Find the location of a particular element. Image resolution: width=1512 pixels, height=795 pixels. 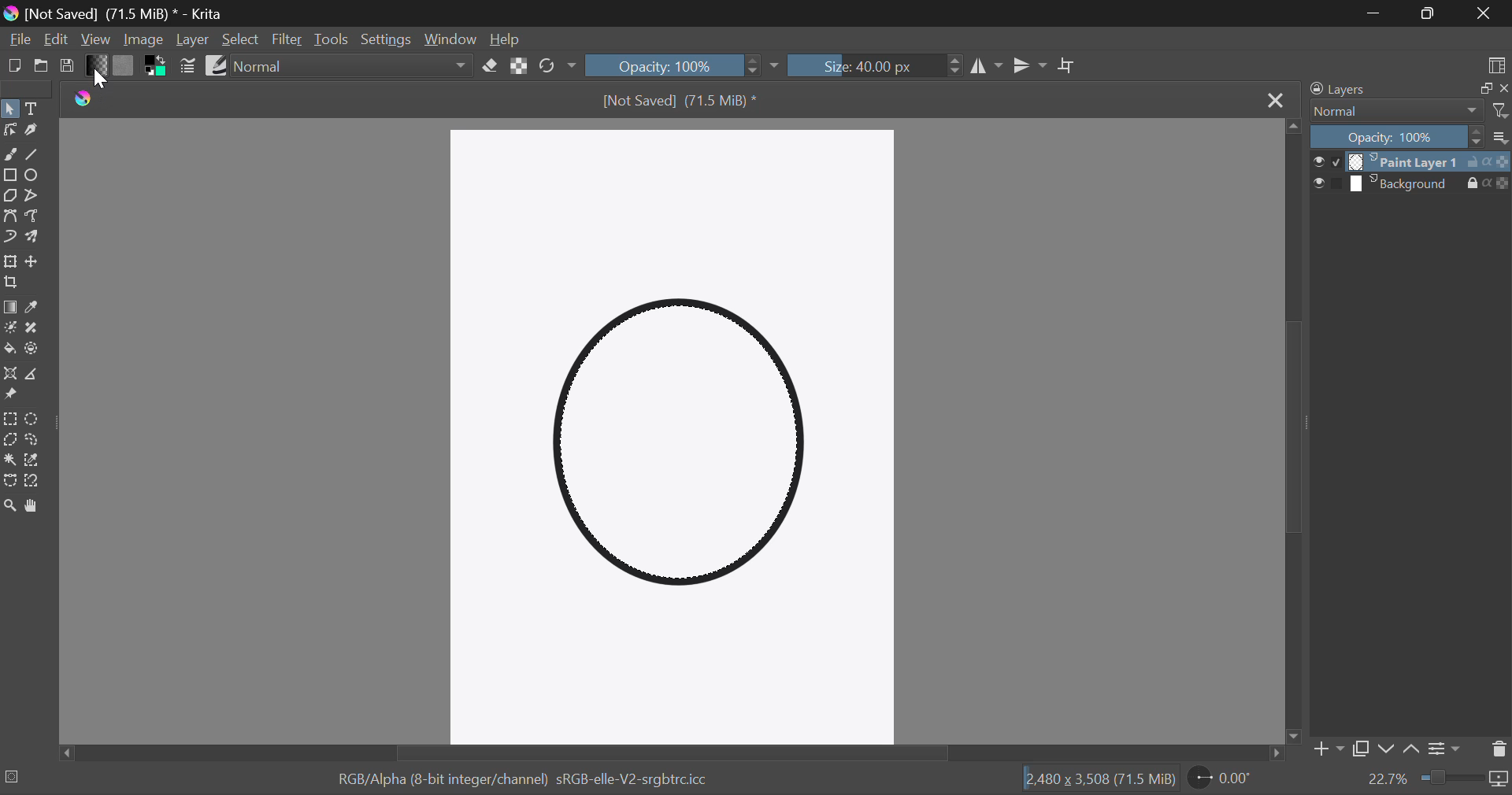

Settings is located at coordinates (384, 39).